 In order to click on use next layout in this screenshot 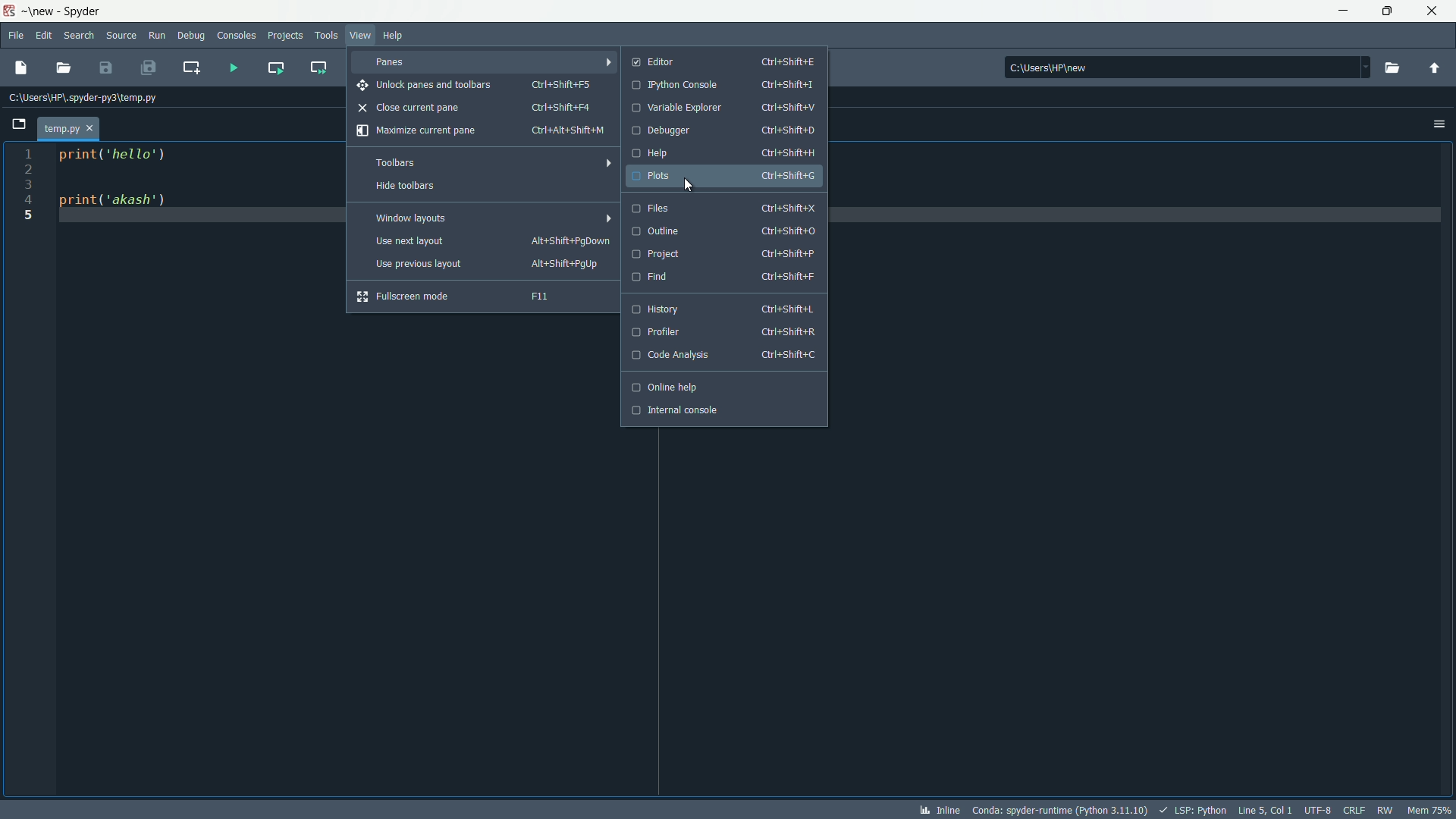, I will do `click(491, 242)`.